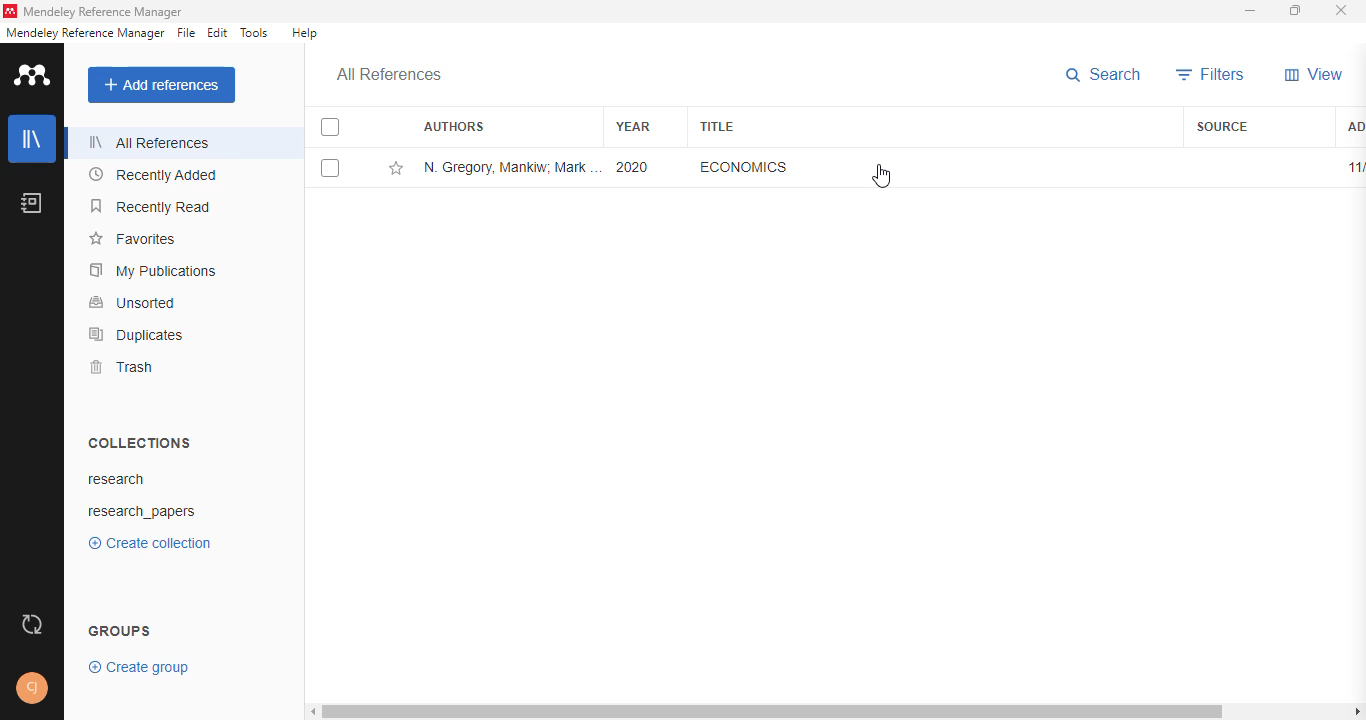 This screenshot has width=1366, height=720. Describe the element at coordinates (135, 335) in the screenshot. I see `duplicates` at that location.